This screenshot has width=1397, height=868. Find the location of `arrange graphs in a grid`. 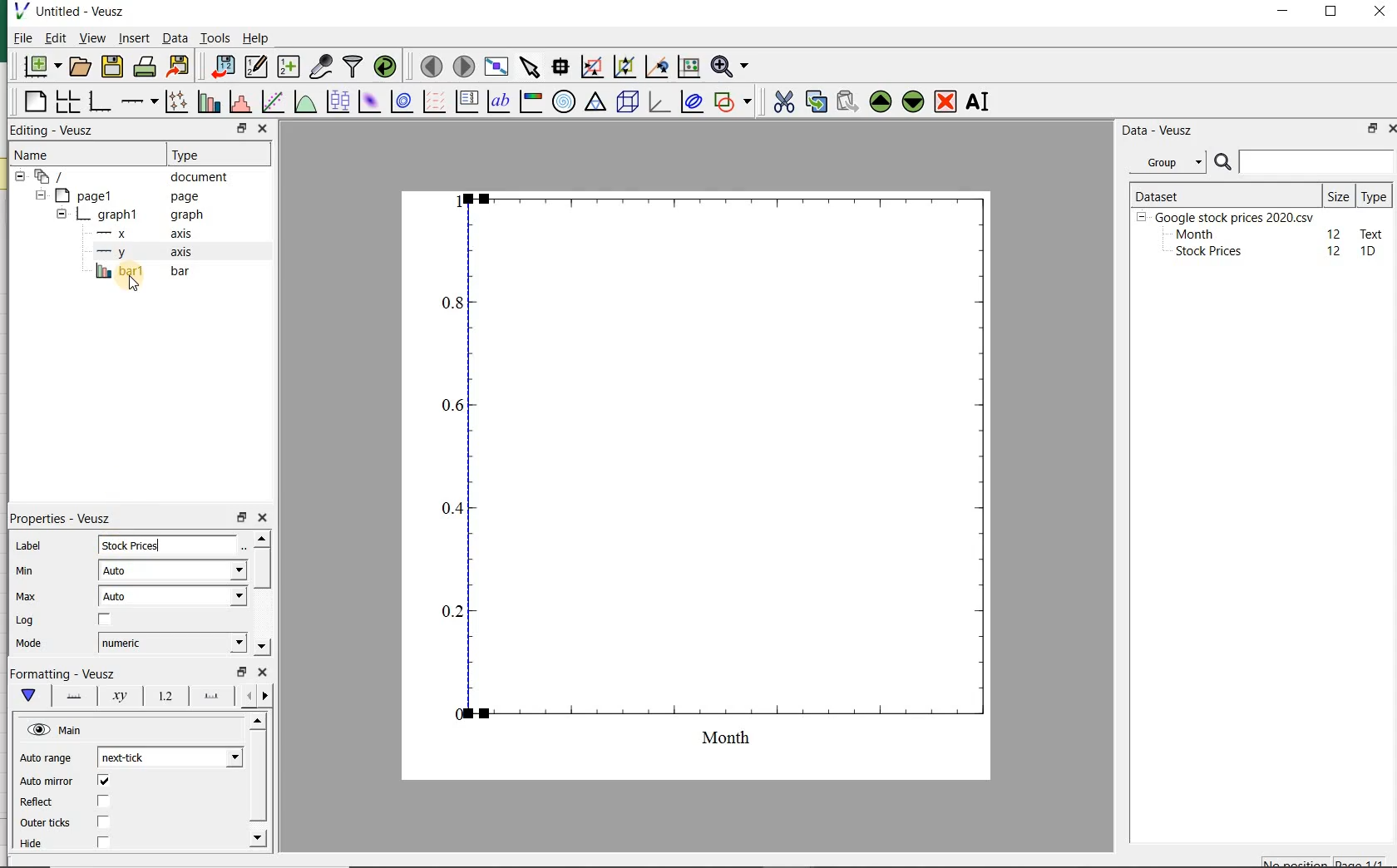

arrange graphs in a grid is located at coordinates (66, 102).